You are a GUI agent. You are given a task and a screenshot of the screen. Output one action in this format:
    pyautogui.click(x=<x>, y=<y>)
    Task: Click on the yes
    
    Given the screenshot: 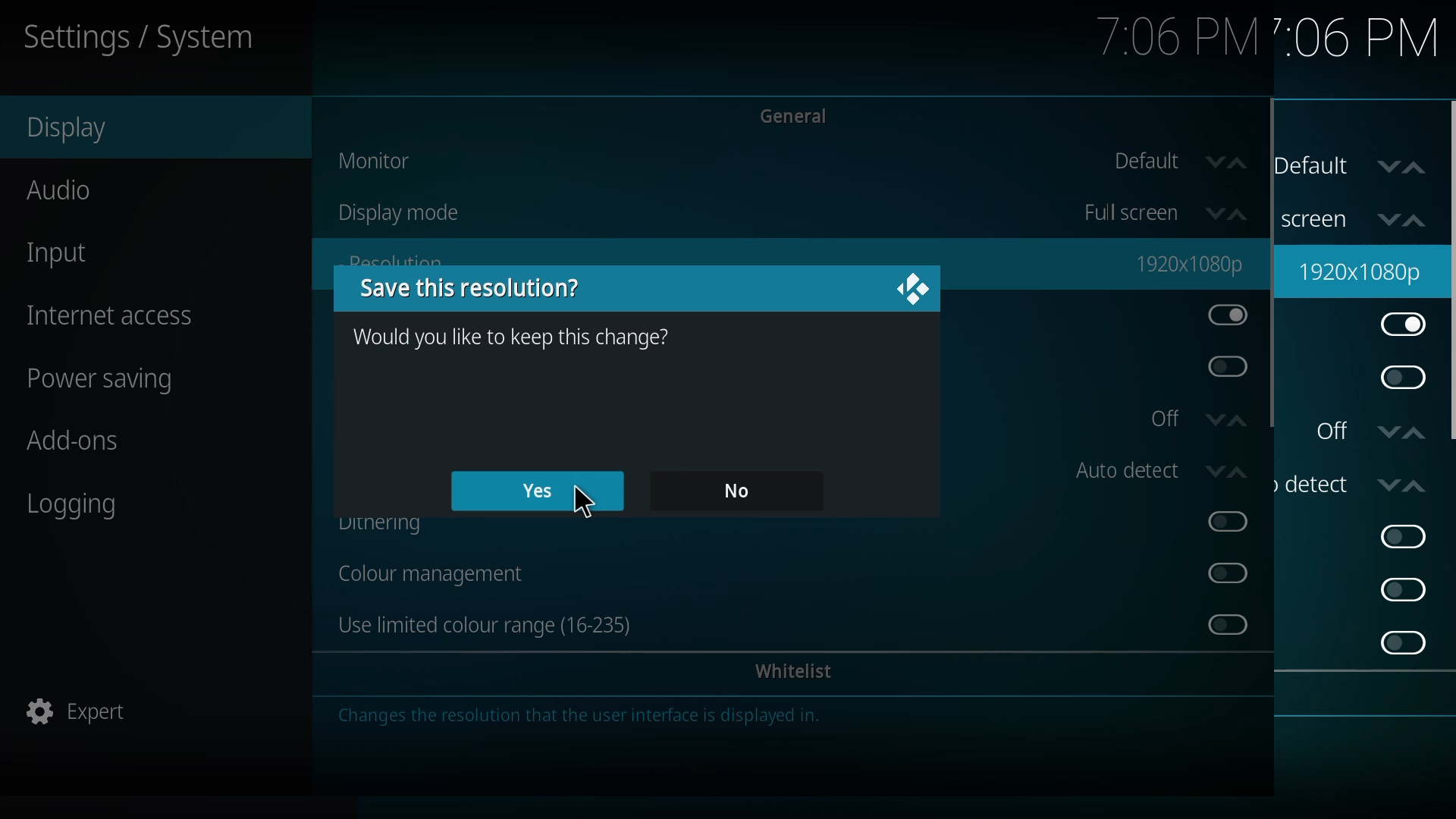 What is the action you would take?
    pyautogui.click(x=535, y=491)
    